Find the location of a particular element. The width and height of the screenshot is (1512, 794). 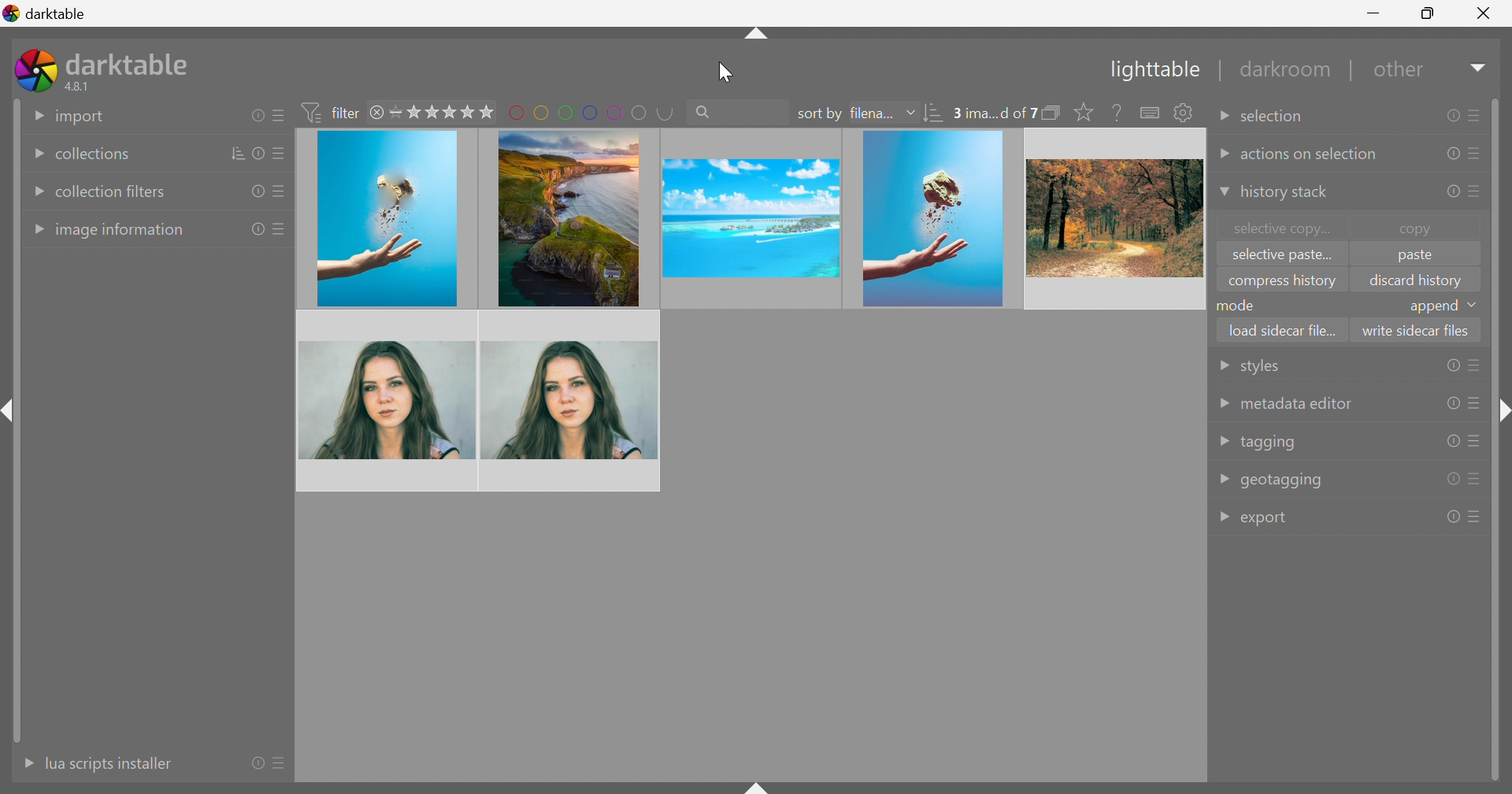

reset is located at coordinates (254, 192).